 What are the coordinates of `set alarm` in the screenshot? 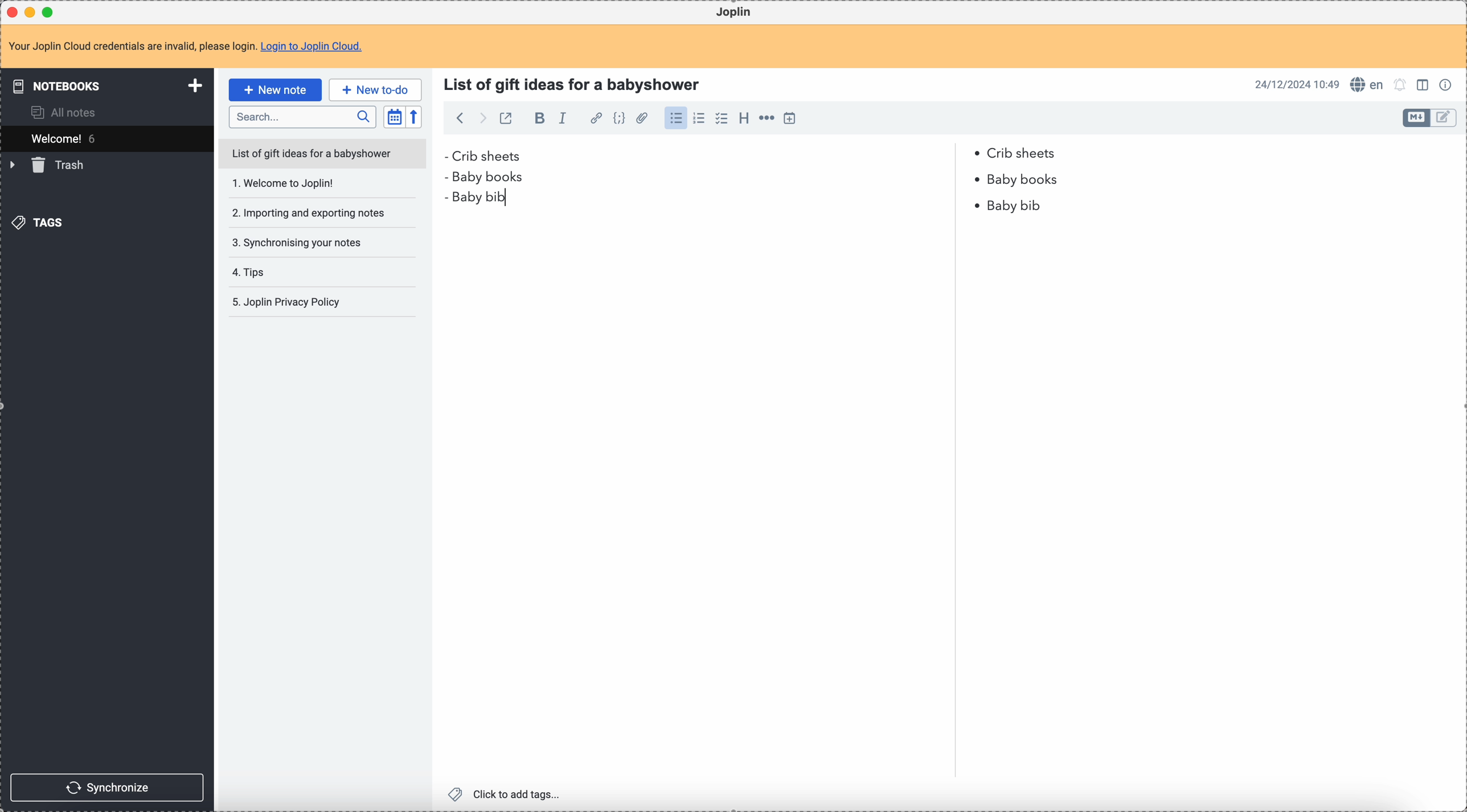 It's located at (1400, 85).